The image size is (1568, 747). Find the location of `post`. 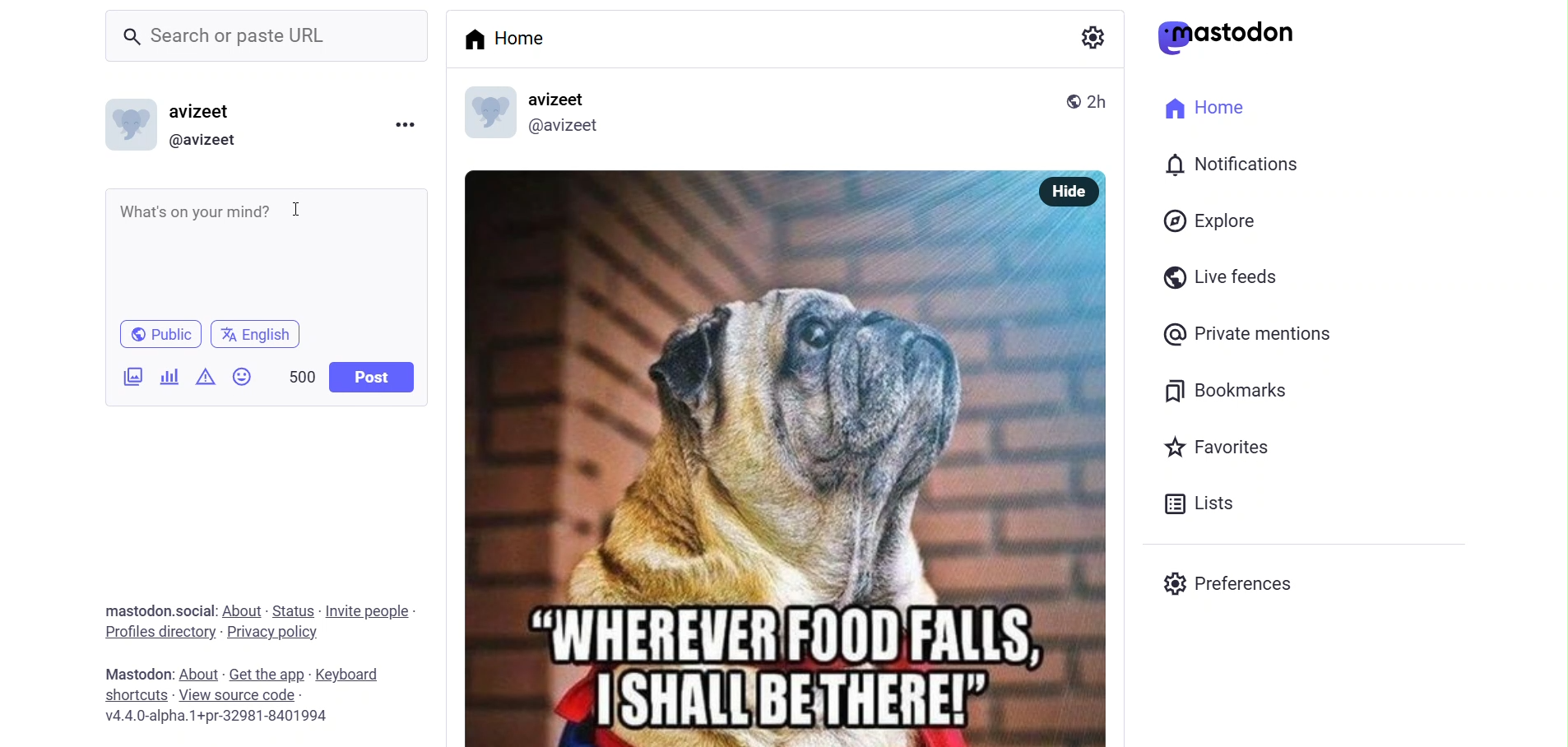

post is located at coordinates (373, 377).